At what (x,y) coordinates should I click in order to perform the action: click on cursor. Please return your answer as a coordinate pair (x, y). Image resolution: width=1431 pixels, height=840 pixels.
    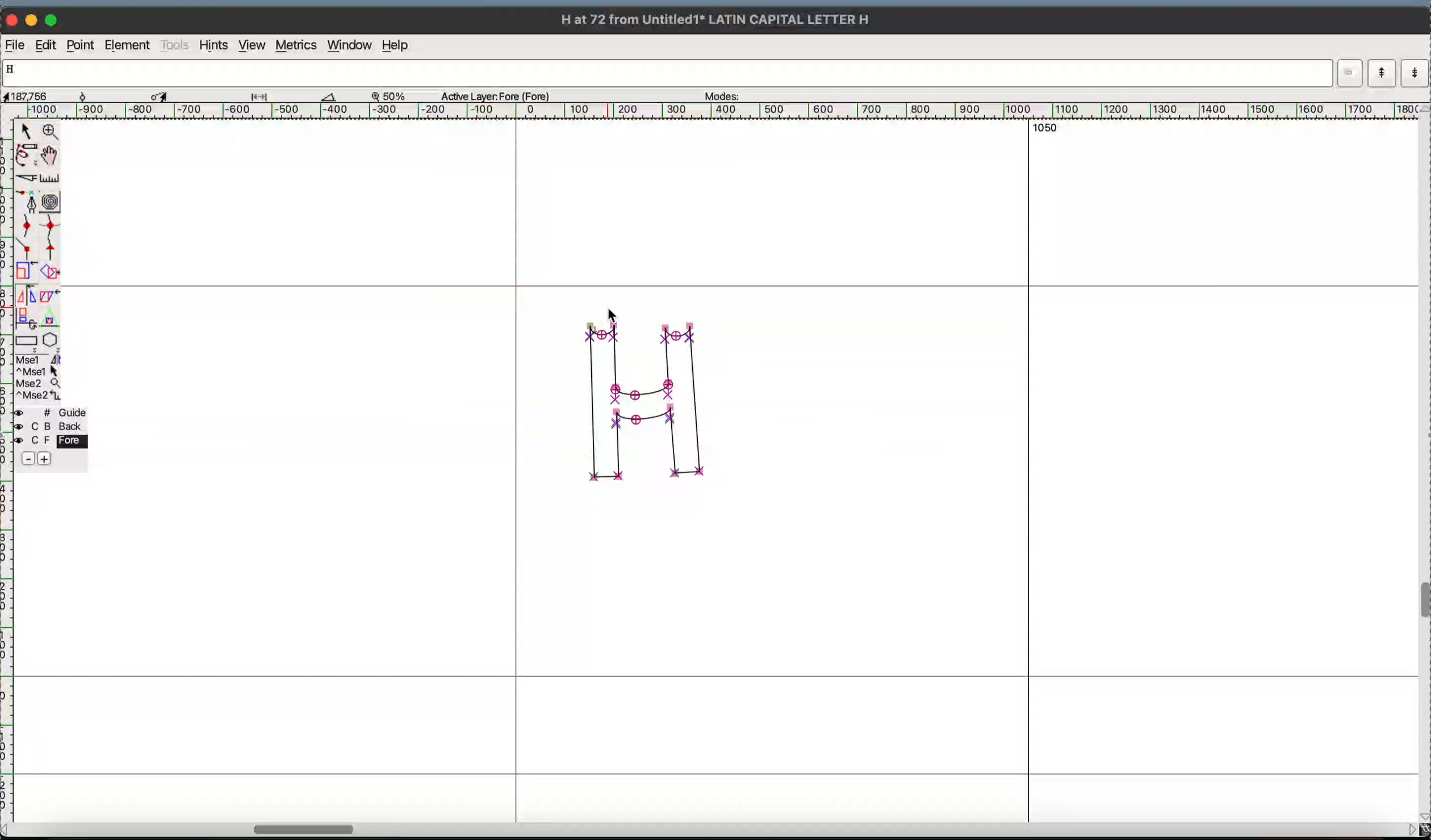
    Looking at the image, I should click on (612, 313).